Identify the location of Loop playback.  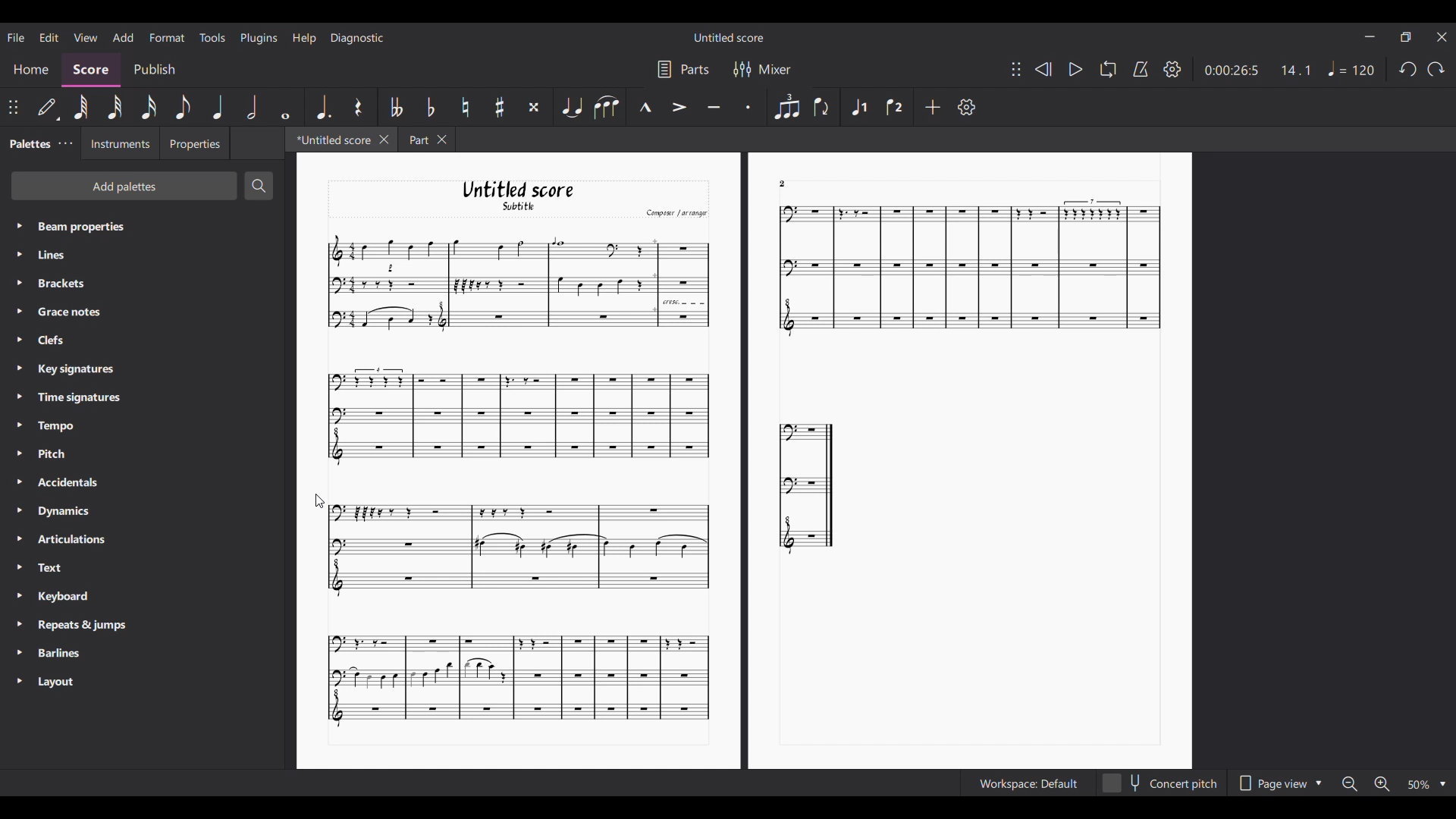
(1108, 68).